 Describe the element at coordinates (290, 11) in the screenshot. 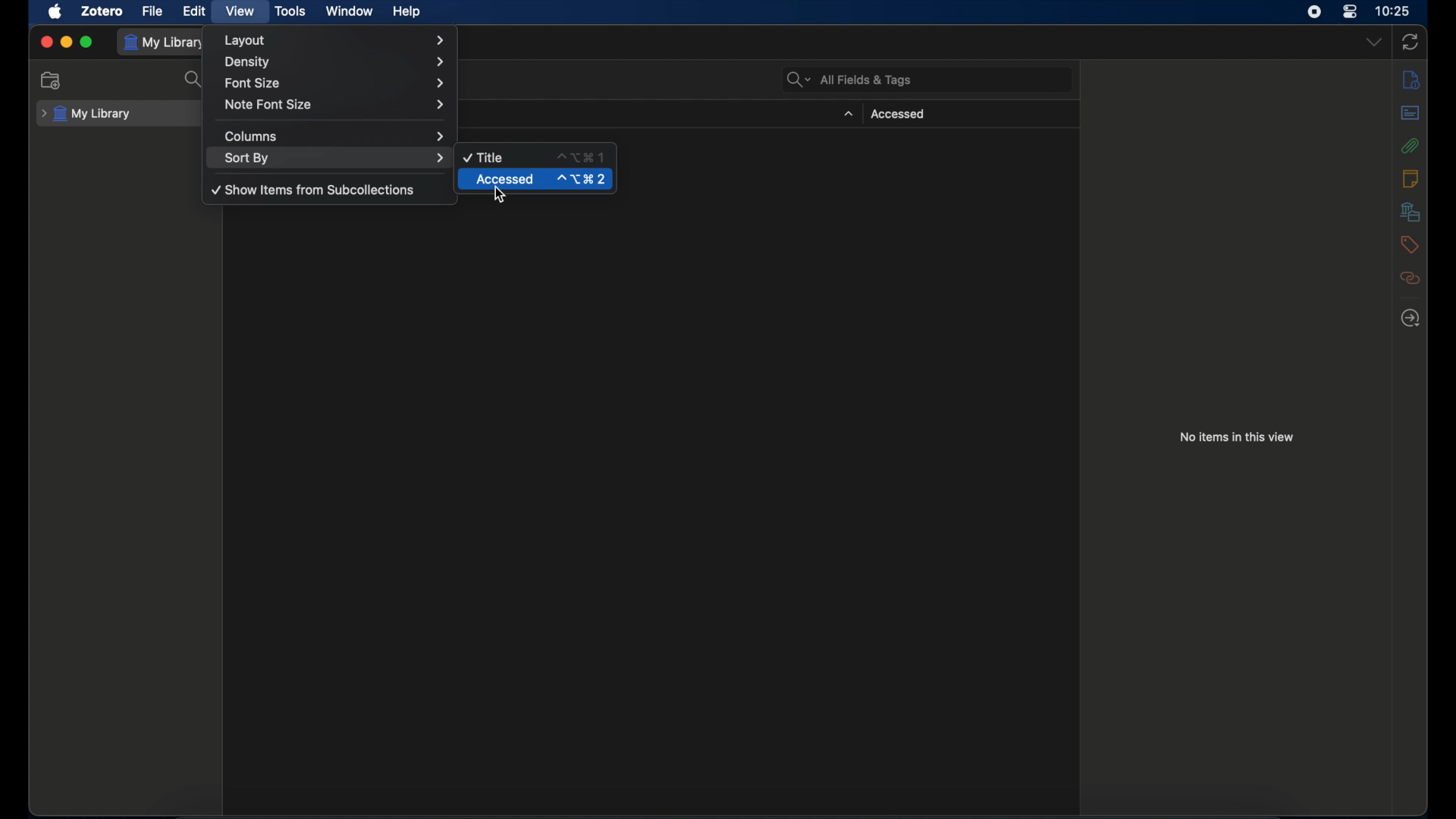

I see `tools` at that location.